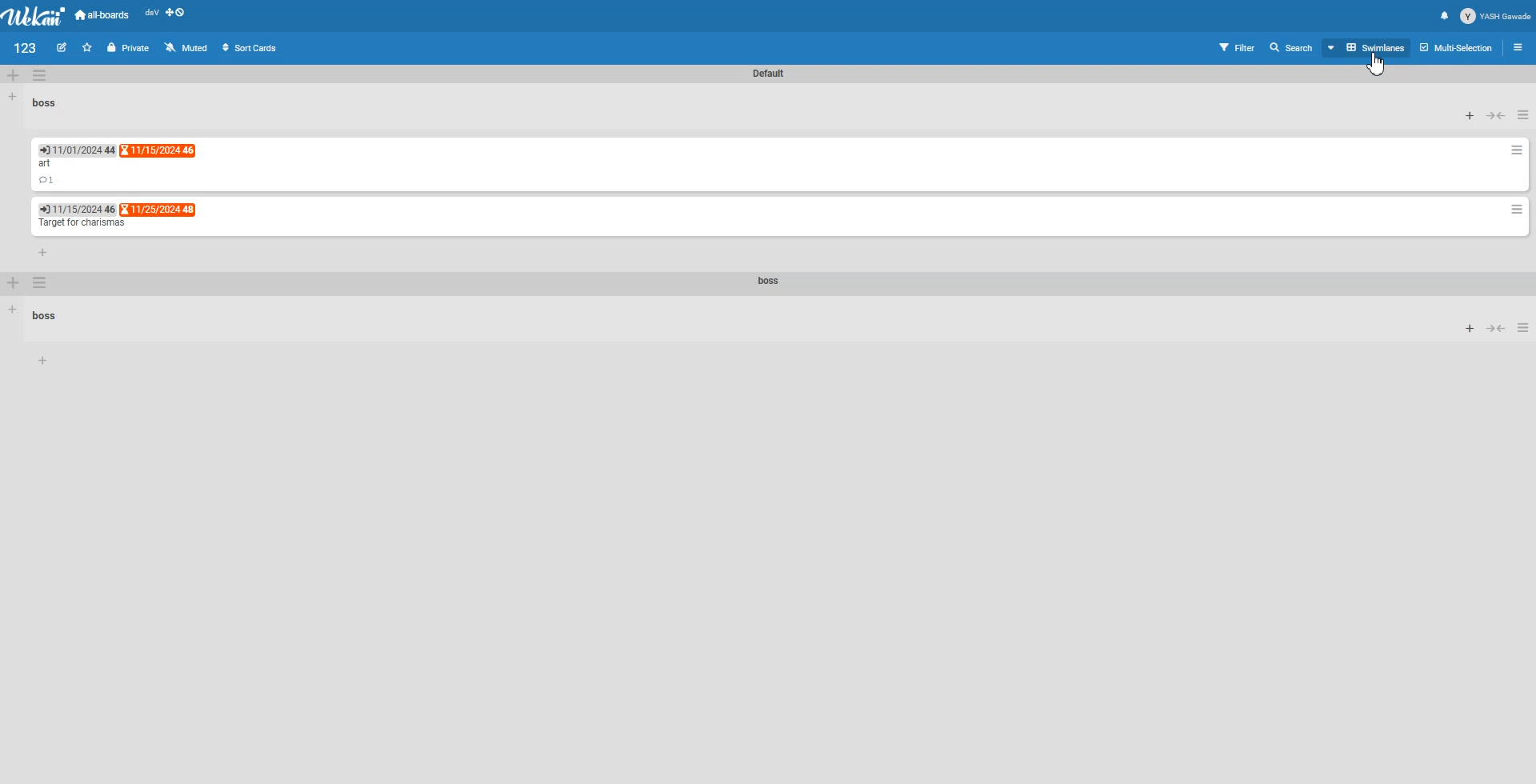 This screenshot has height=784, width=1536. What do you see at coordinates (1445, 16) in the screenshot?
I see `Notification` at bounding box center [1445, 16].